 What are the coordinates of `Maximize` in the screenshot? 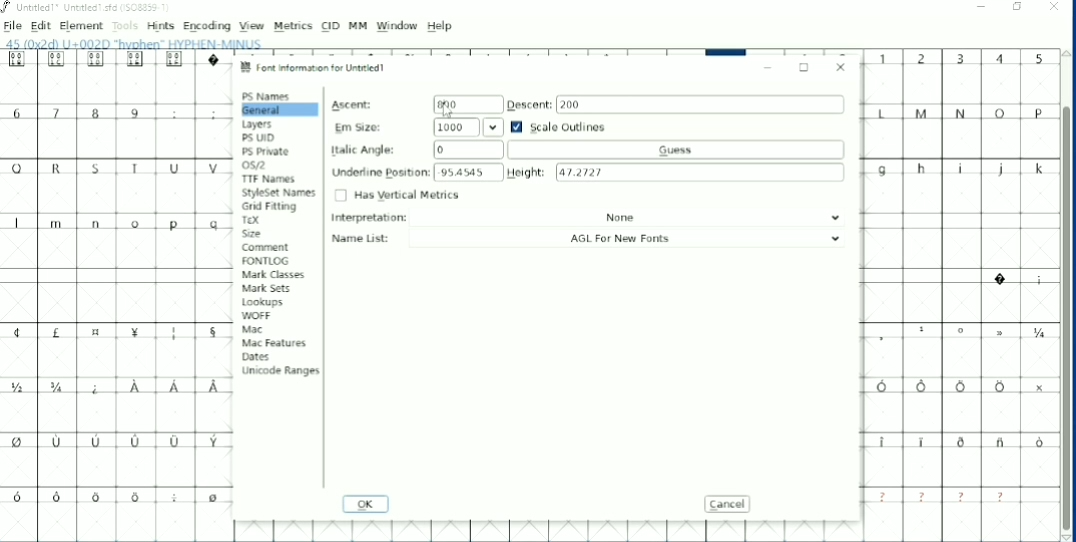 It's located at (805, 68).